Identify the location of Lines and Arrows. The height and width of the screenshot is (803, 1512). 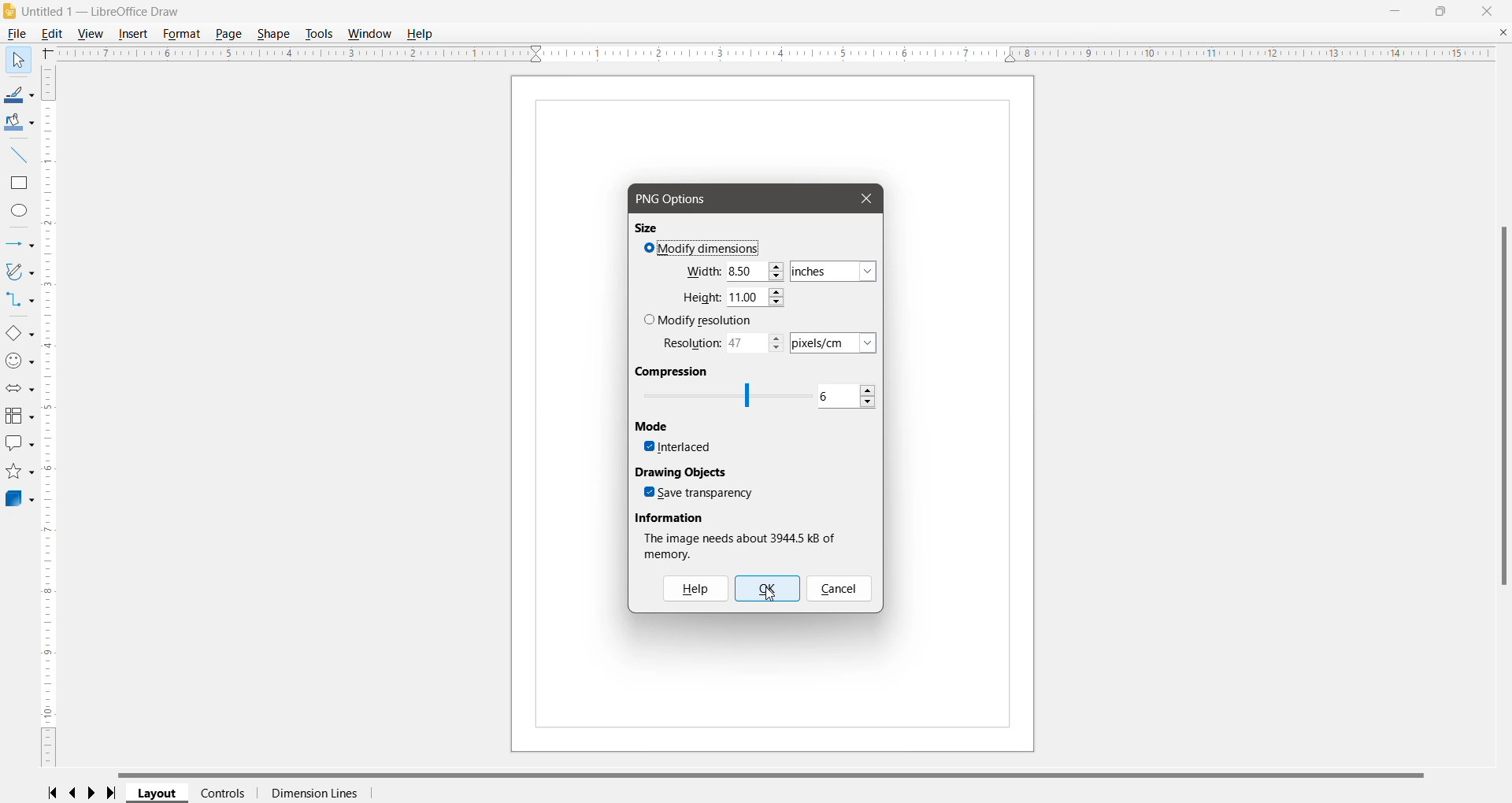
(18, 245).